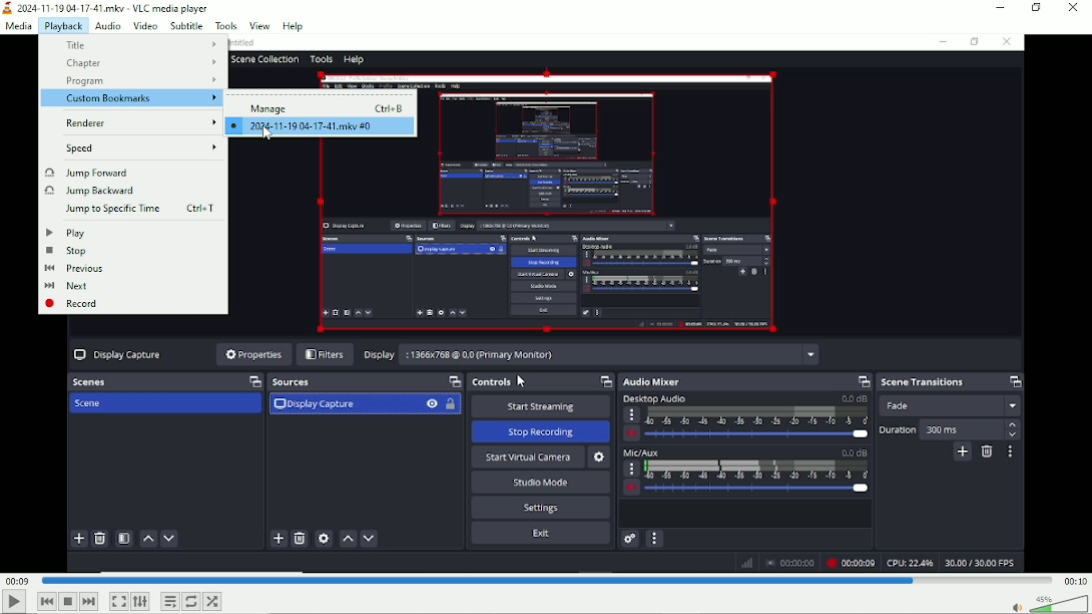 This screenshot has width=1092, height=614. What do you see at coordinates (186, 26) in the screenshot?
I see `Subtitle` at bounding box center [186, 26].